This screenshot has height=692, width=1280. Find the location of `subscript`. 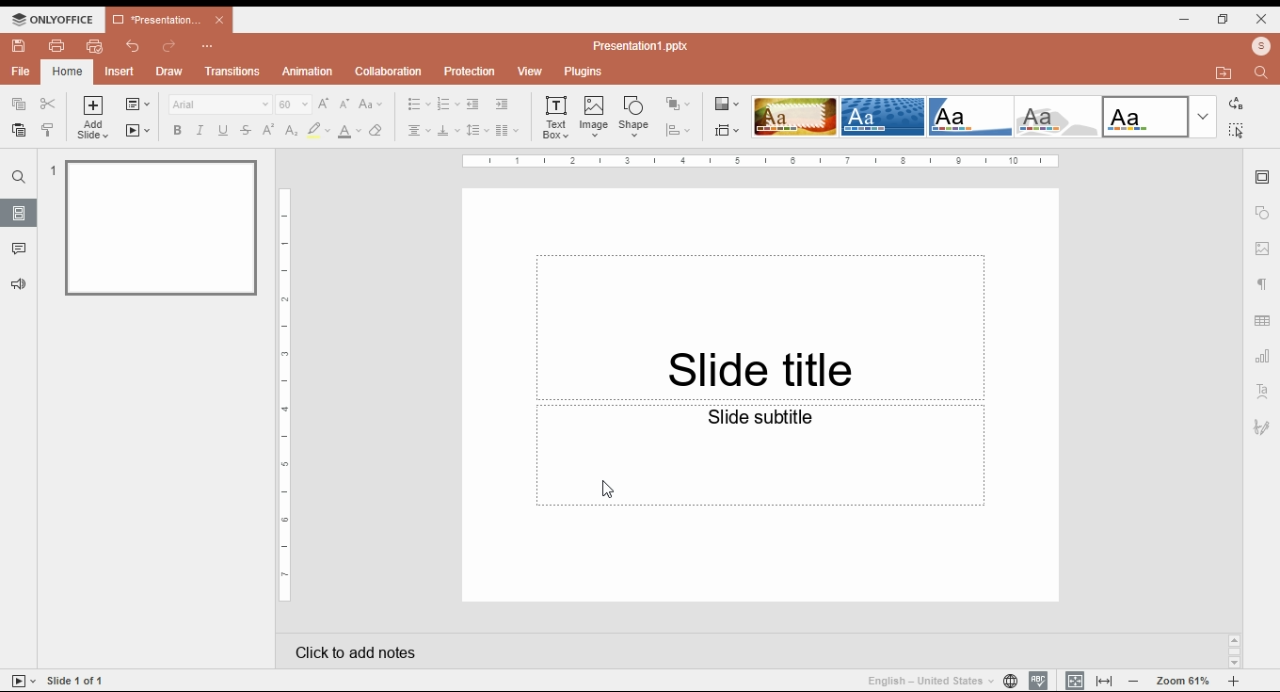

subscript is located at coordinates (289, 130).